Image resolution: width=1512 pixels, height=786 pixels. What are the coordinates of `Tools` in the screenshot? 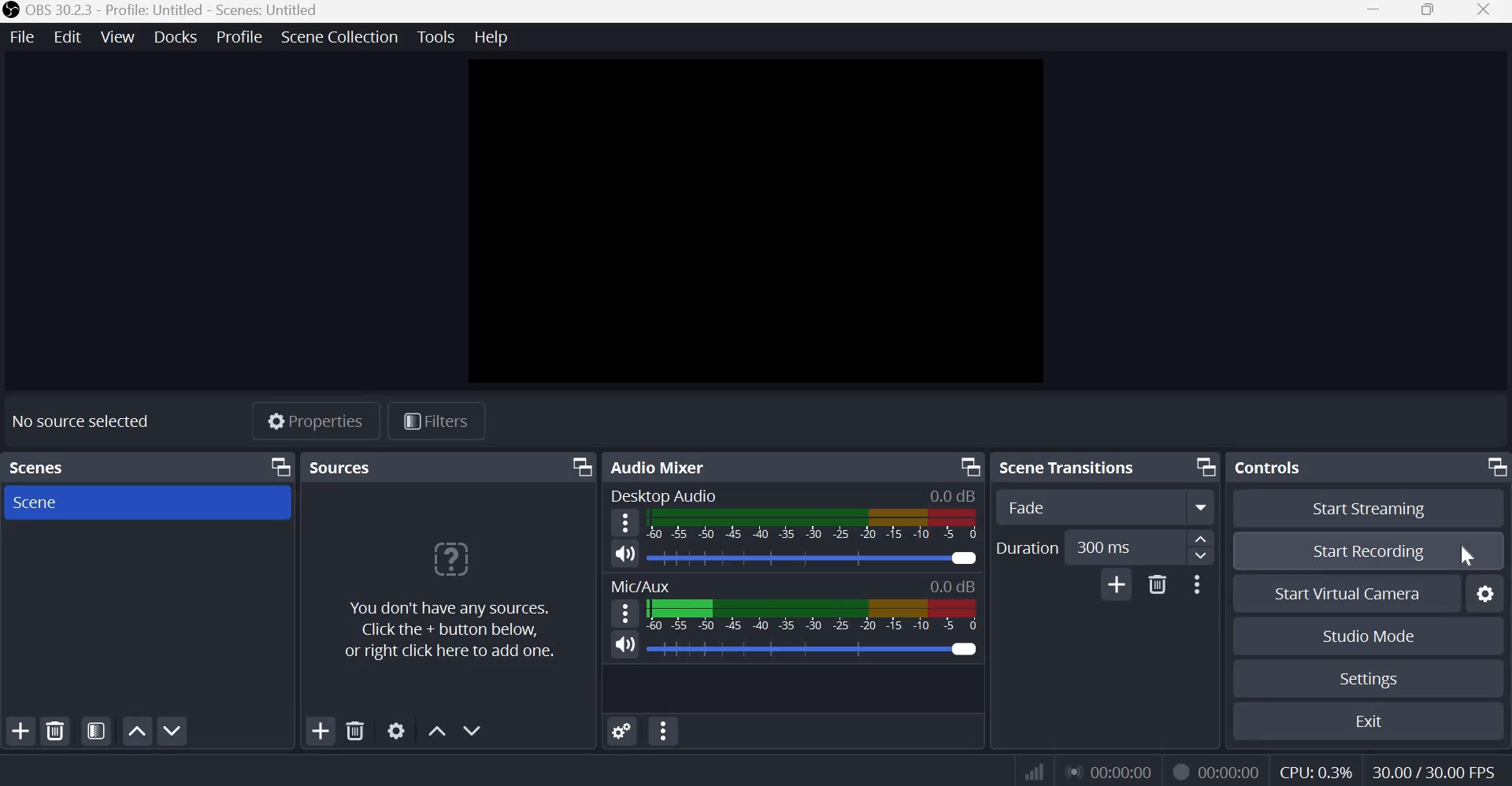 It's located at (435, 37).